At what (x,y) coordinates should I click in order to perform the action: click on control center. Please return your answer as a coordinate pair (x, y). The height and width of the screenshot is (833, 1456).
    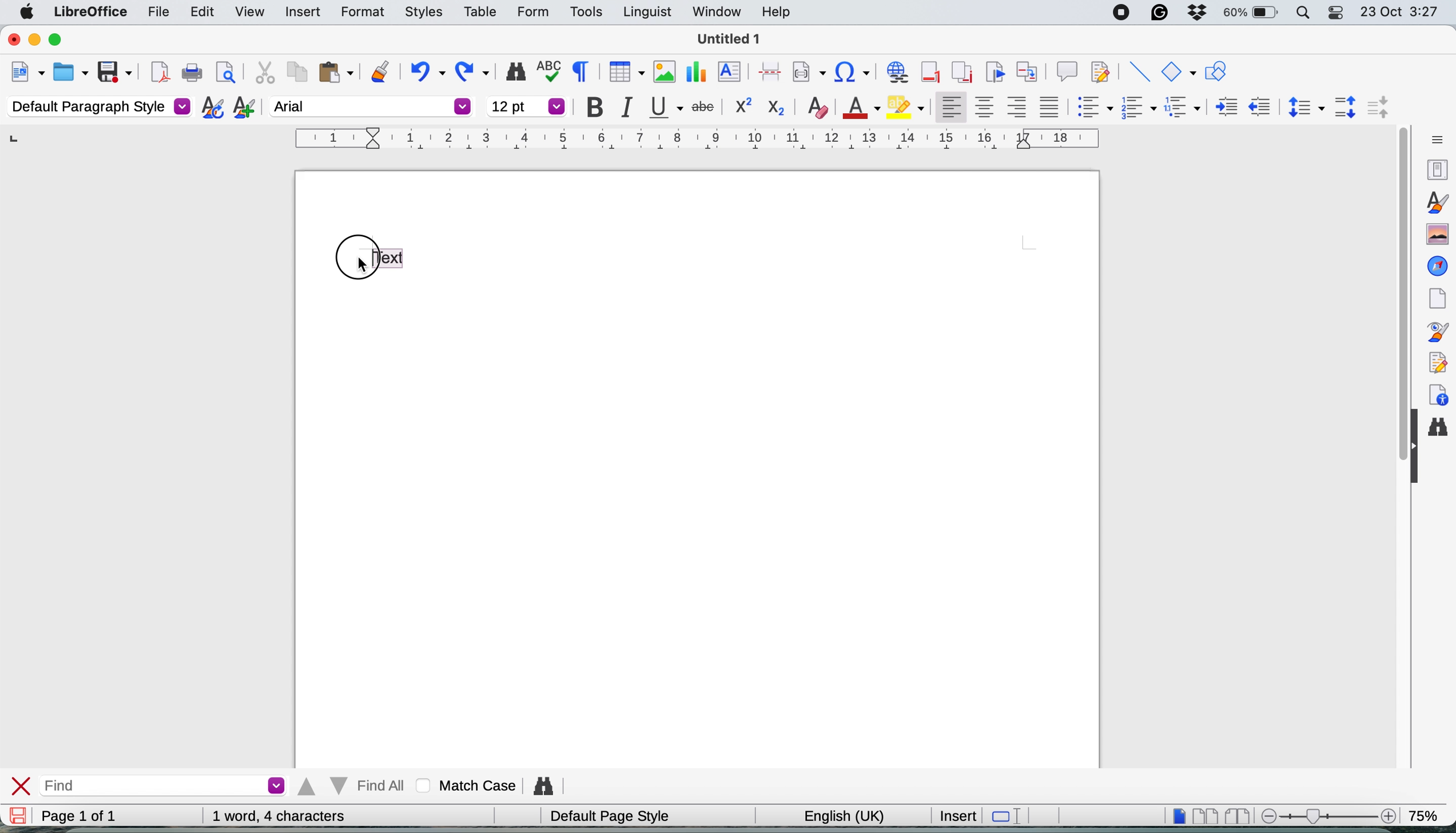
    Looking at the image, I should click on (1338, 14).